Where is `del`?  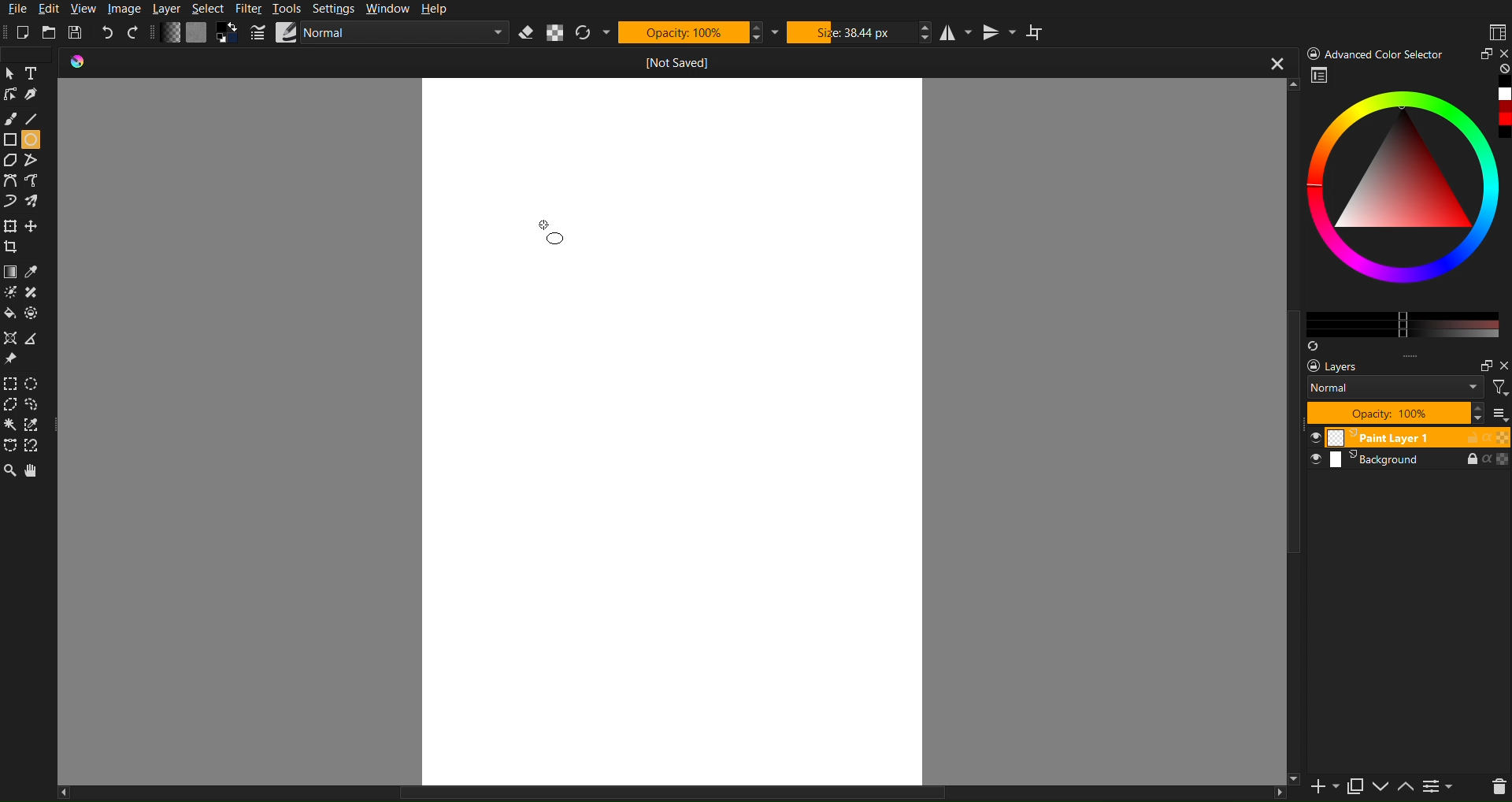 del is located at coordinates (1503, 789).